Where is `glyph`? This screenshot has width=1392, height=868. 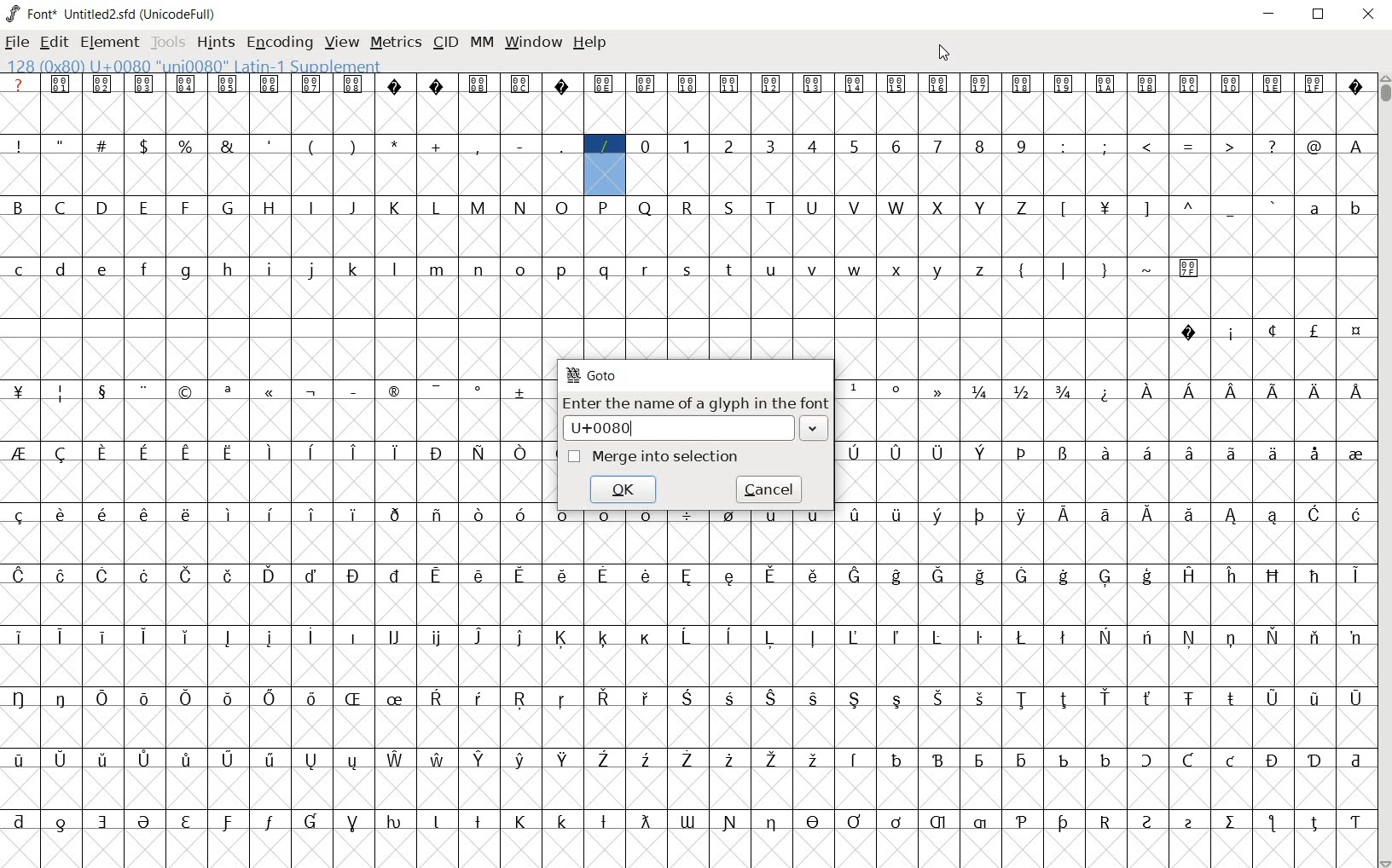
glyph is located at coordinates (1189, 824).